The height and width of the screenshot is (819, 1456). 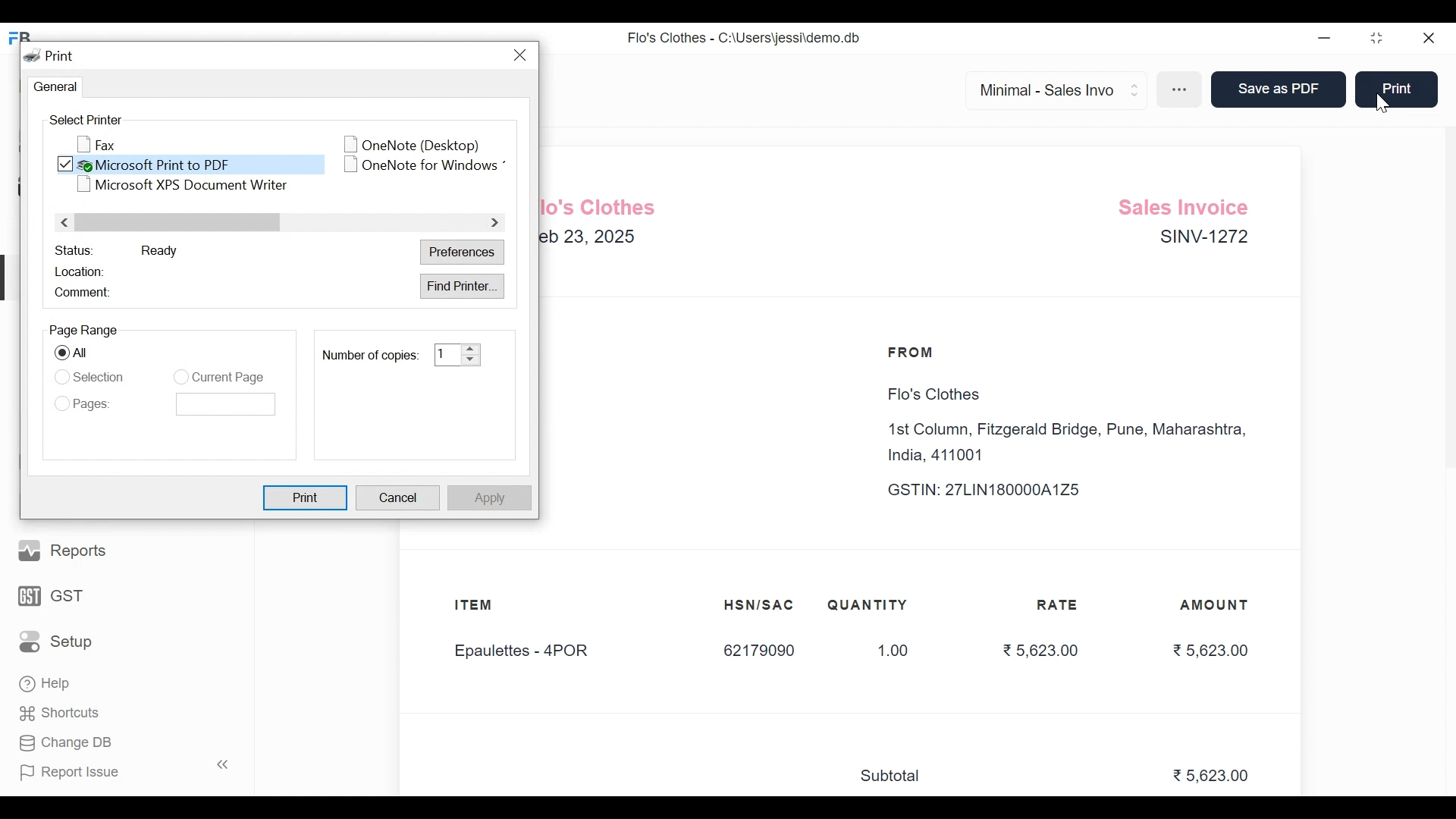 I want to click on Flo's Clothes - C:\Users\jessi\demo.db, so click(x=744, y=36).